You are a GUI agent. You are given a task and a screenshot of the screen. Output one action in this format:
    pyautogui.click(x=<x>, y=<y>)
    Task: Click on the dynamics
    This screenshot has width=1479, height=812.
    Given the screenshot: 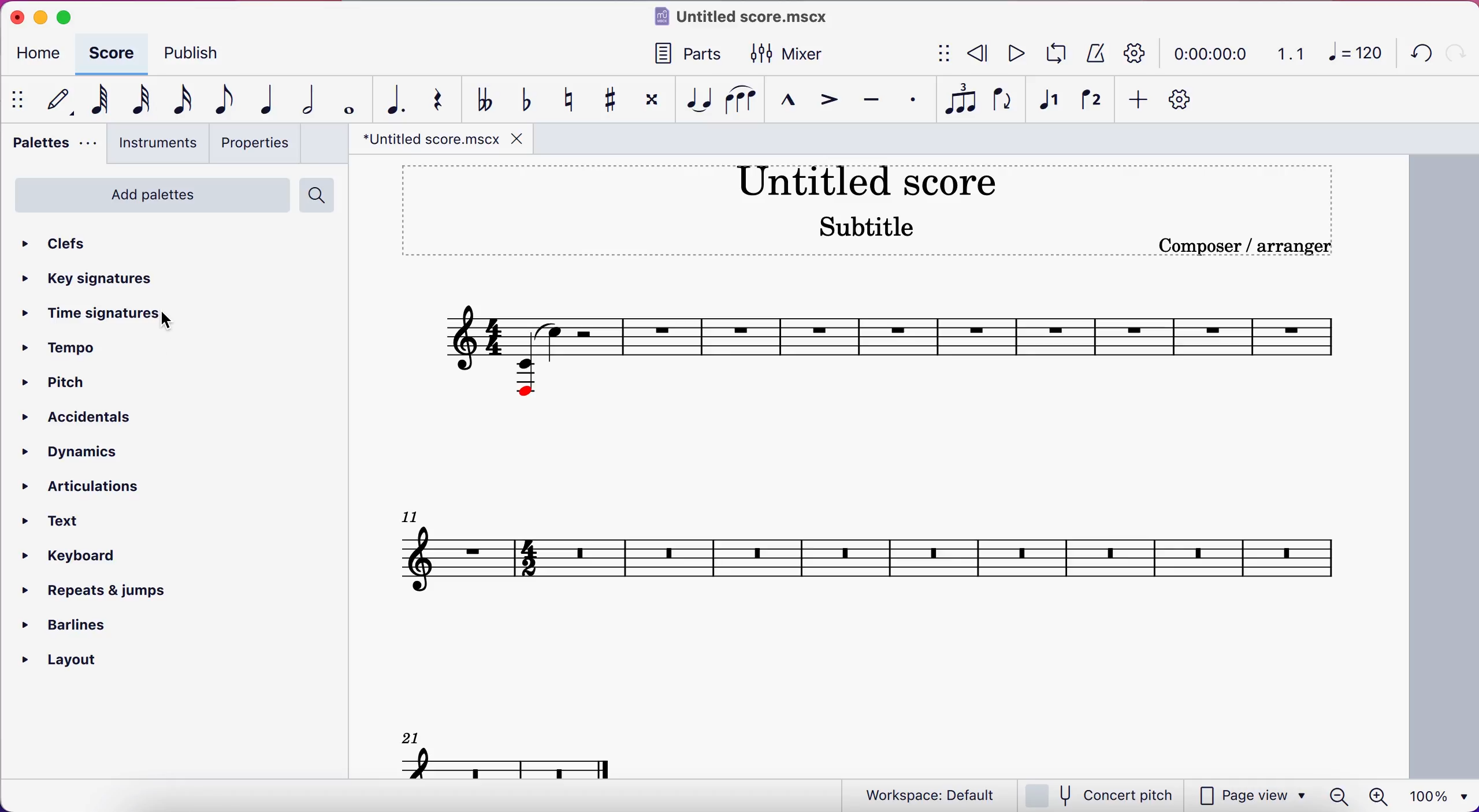 What is the action you would take?
    pyautogui.click(x=75, y=452)
    